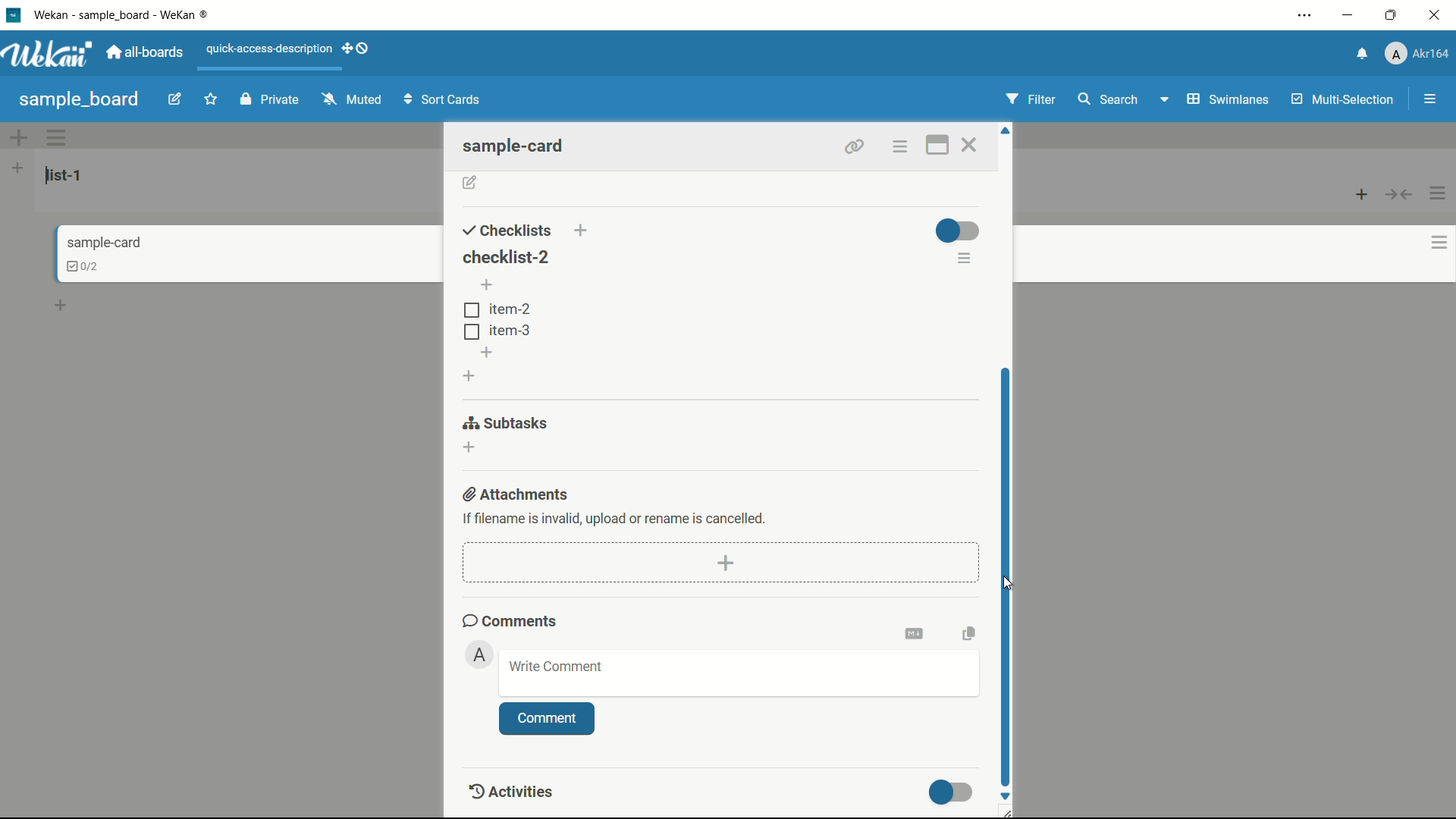 Image resolution: width=1456 pixels, height=819 pixels. What do you see at coordinates (480, 655) in the screenshot?
I see `admin` at bounding box center [480, 655].